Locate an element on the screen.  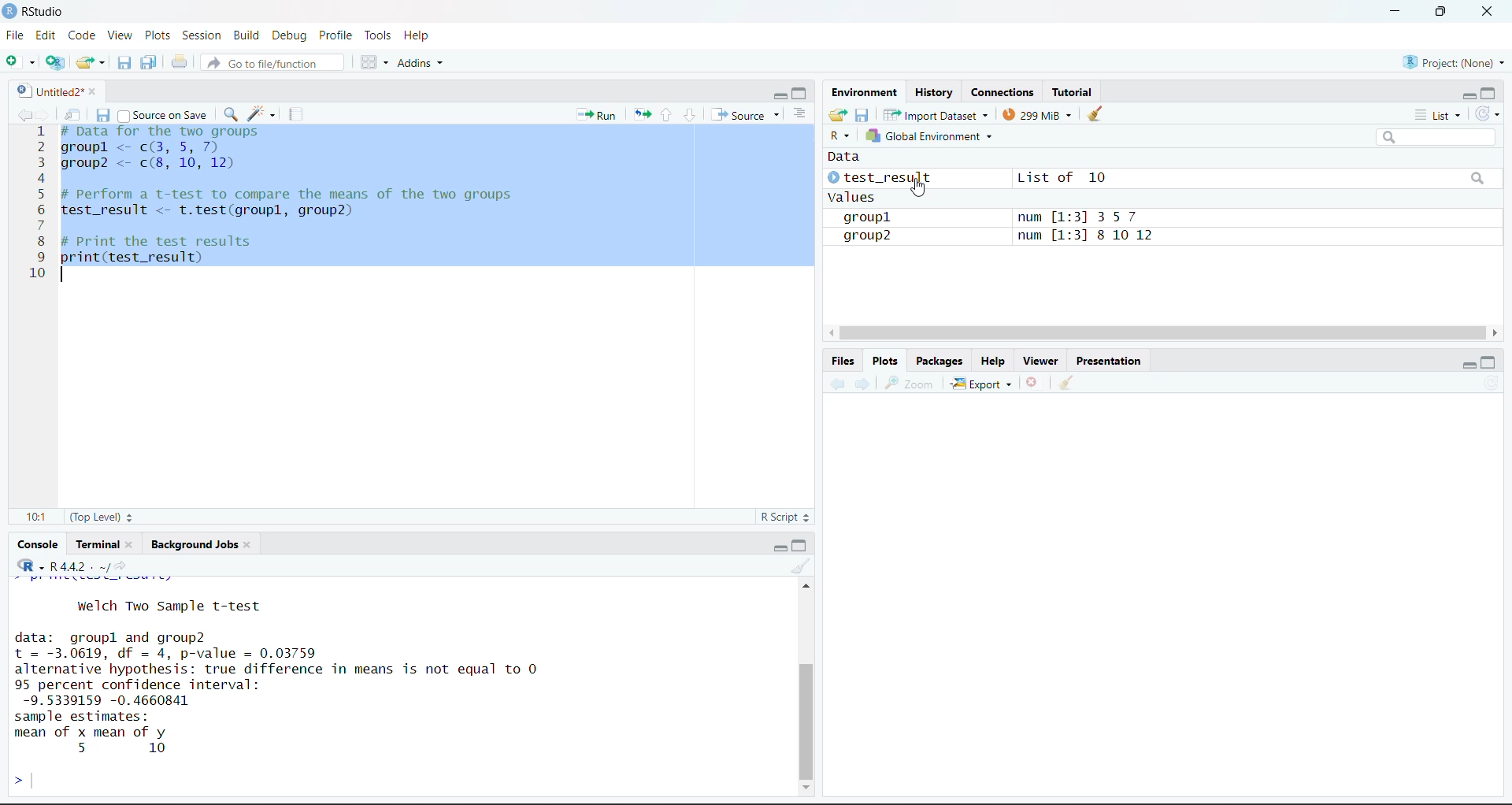
move down is located at coordinates (808, 785).